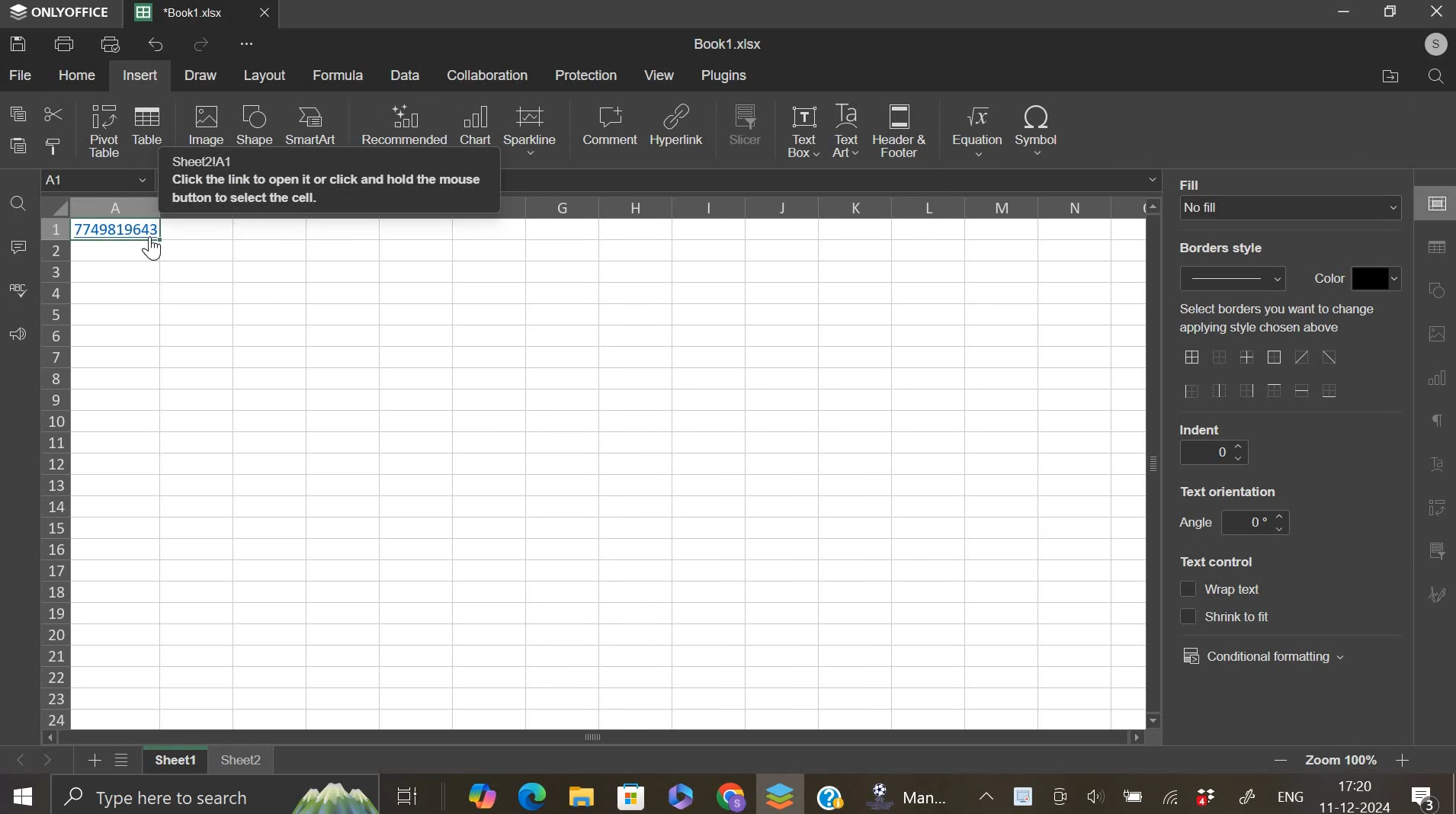  I want to click on Minimize, so click(1346, 14).